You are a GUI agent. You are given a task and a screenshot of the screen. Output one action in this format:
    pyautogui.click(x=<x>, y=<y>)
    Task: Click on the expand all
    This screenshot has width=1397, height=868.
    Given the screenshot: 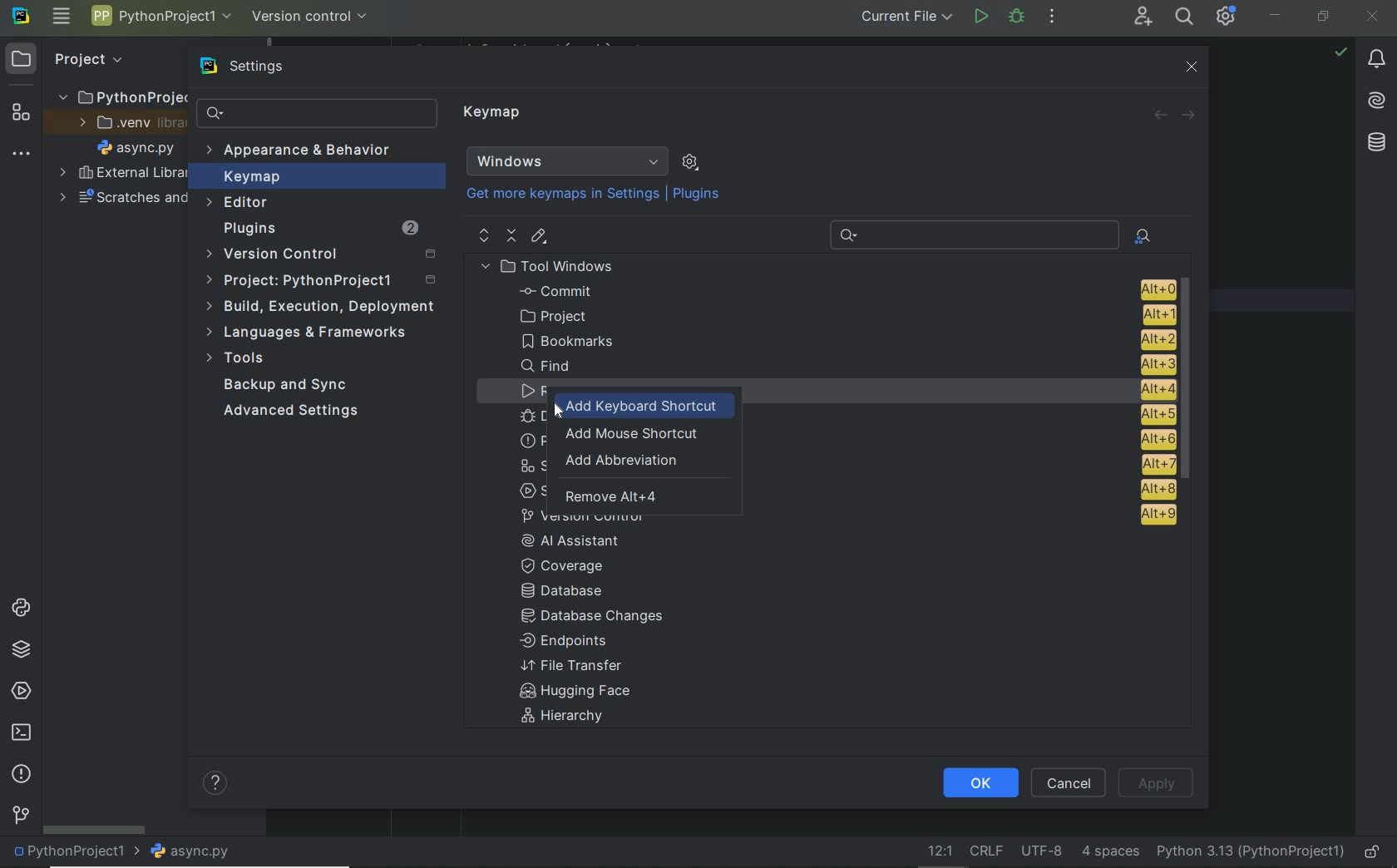 What is the action you would take?
    pyautogui.click(x=482, y=235)
    